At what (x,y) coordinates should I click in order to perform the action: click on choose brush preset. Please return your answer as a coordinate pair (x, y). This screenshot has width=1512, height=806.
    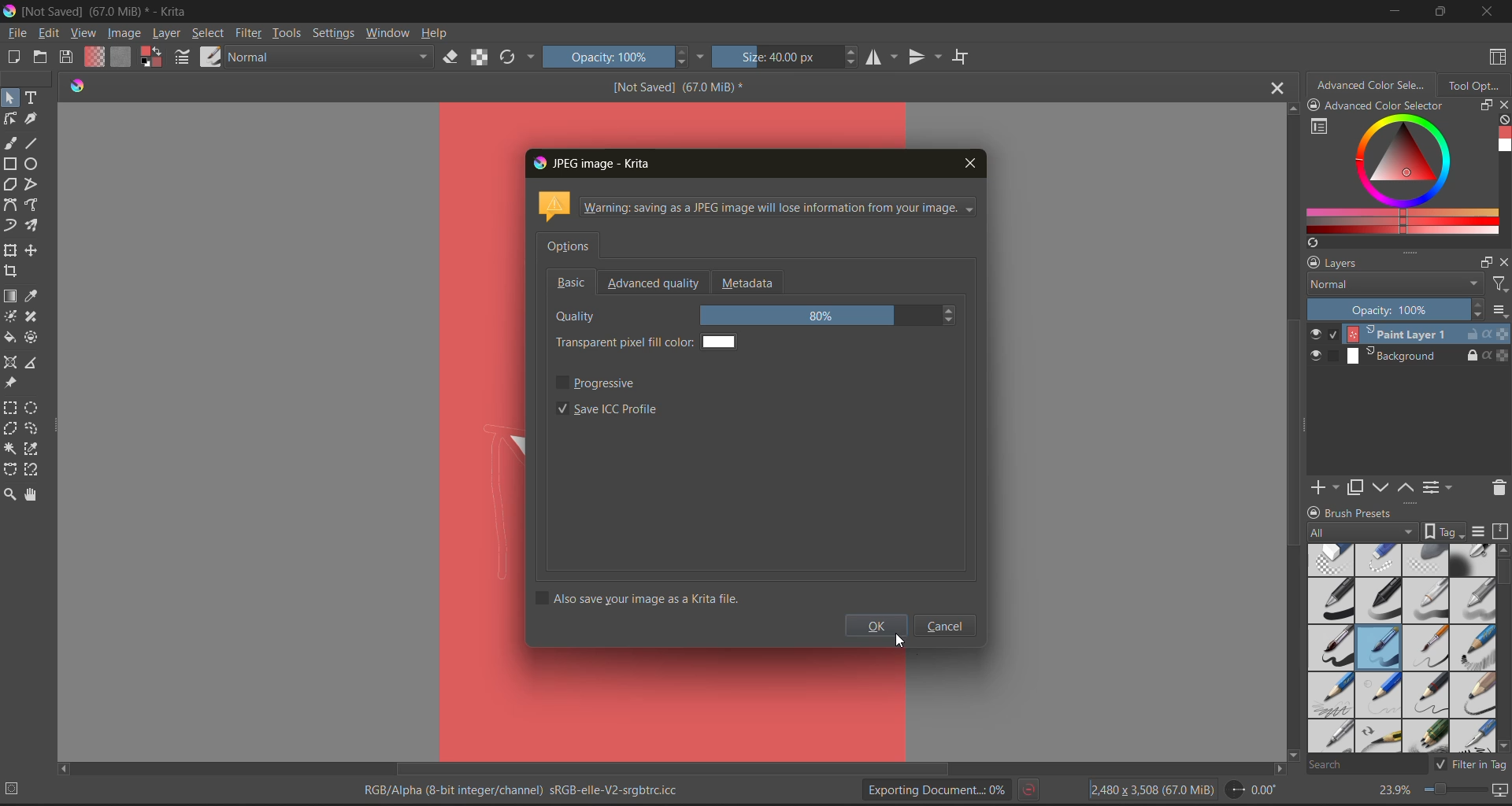
    Looking at the image, I should click on (213, 57).